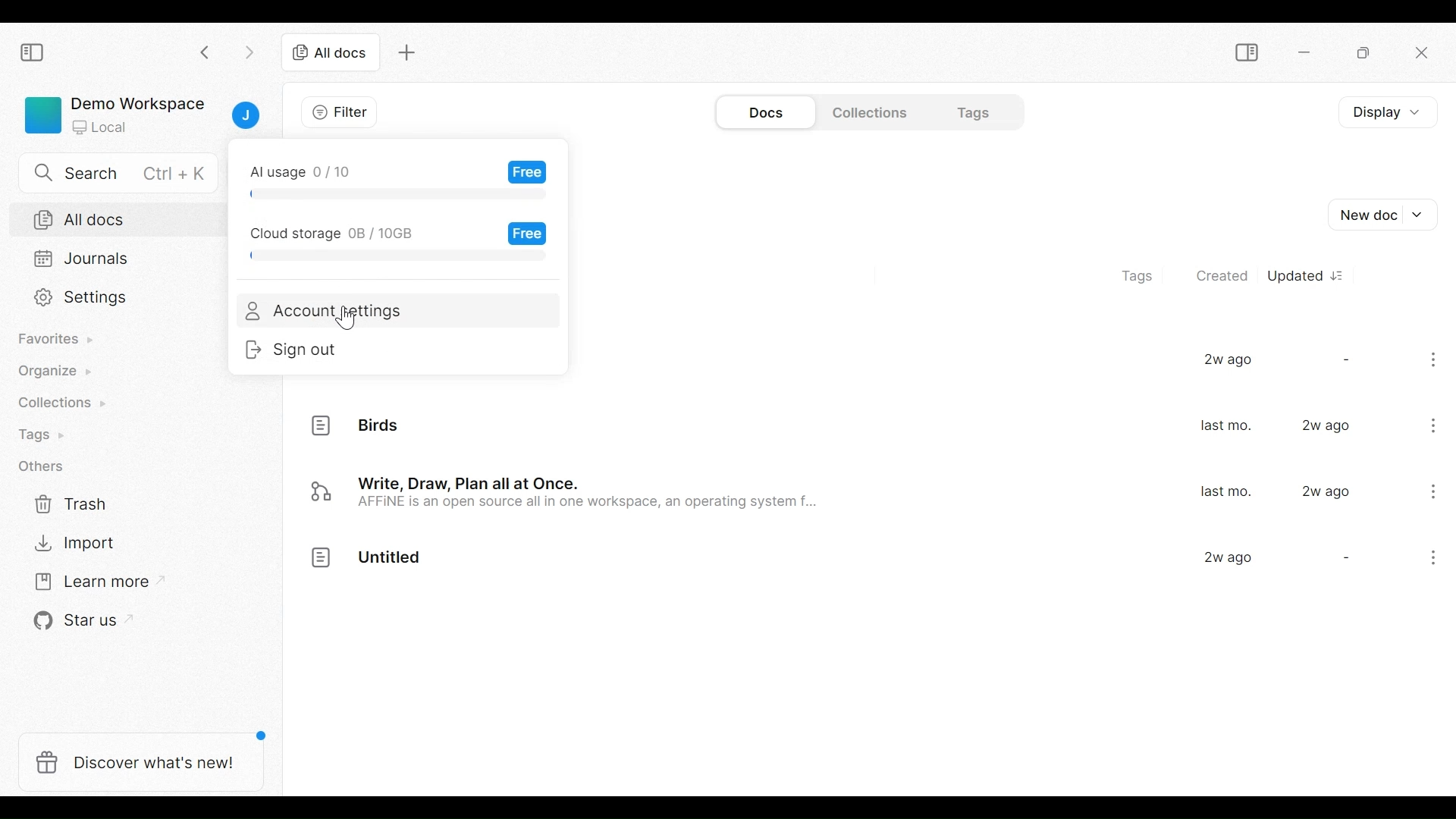 The width and height of the screenshot is (1456, 819). Describe the element at coordinates (475, 482) in the screenshot. I see `Write, Draw, Plan all at Once.` at that location.